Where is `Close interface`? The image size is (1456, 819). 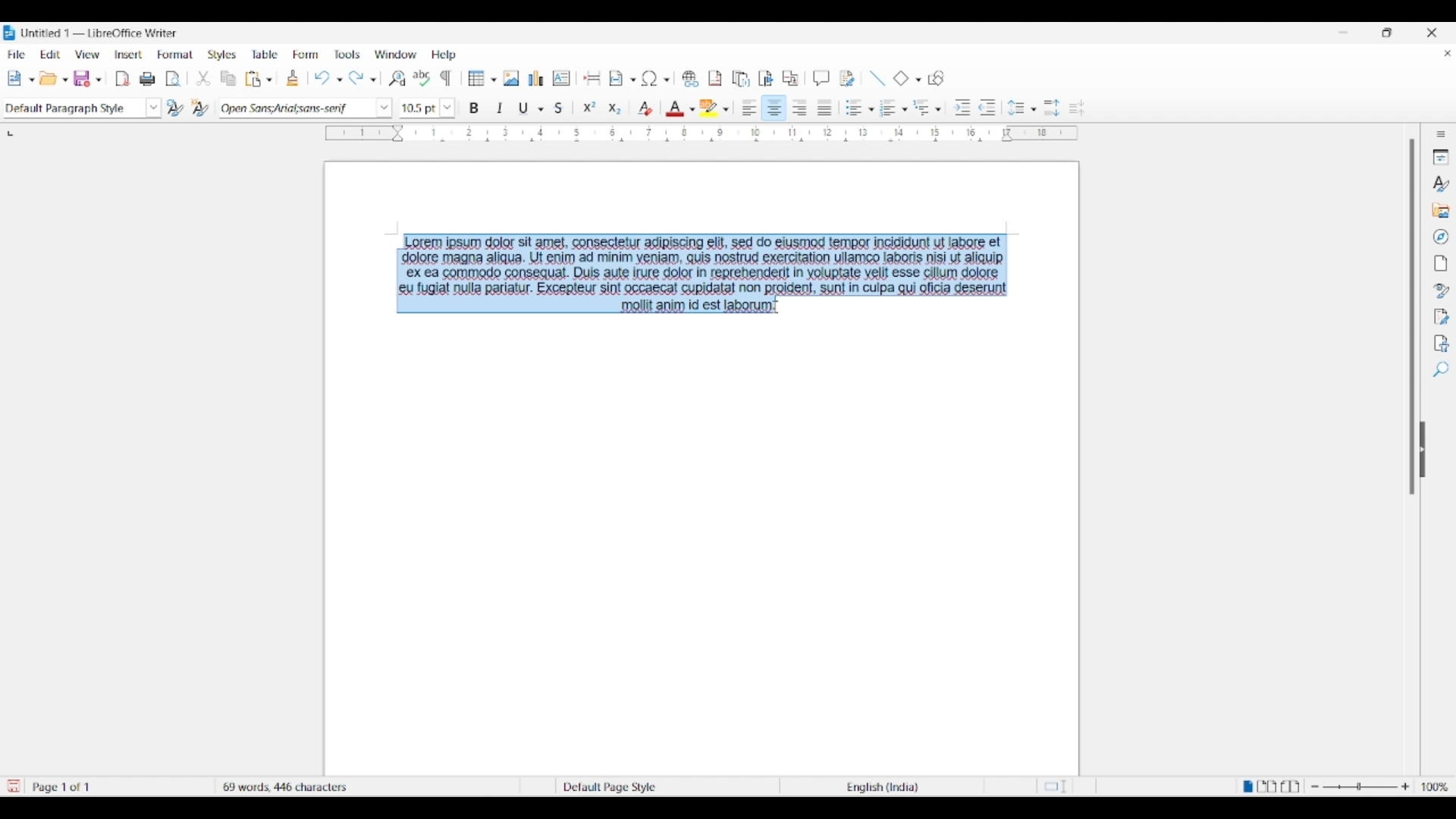
Close interface is located at coordinates (1431, 33).